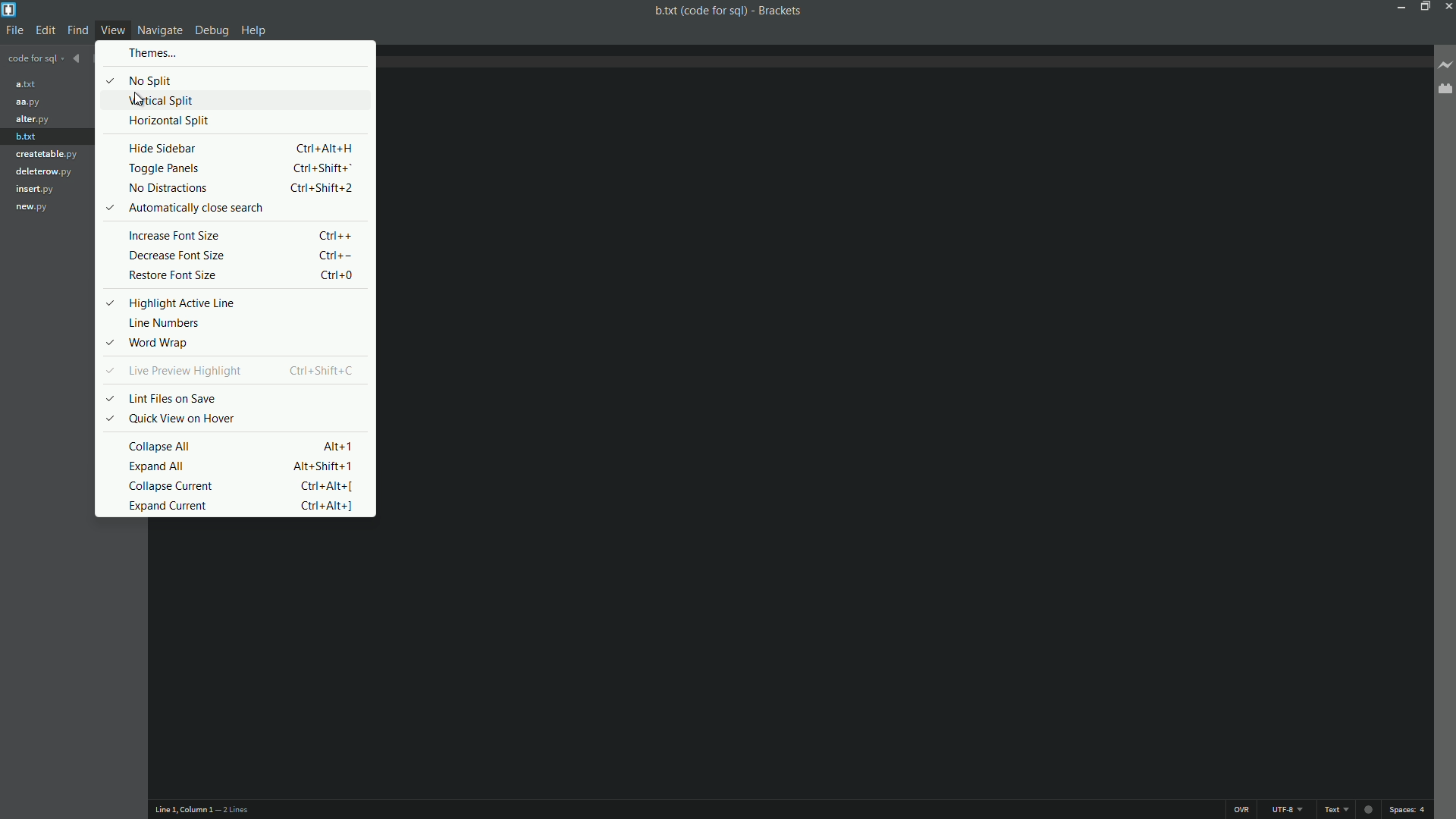  What do you see at coordinates (110, 343) in the screenshot?
I see `Selected` at bounding box center [110, 343].